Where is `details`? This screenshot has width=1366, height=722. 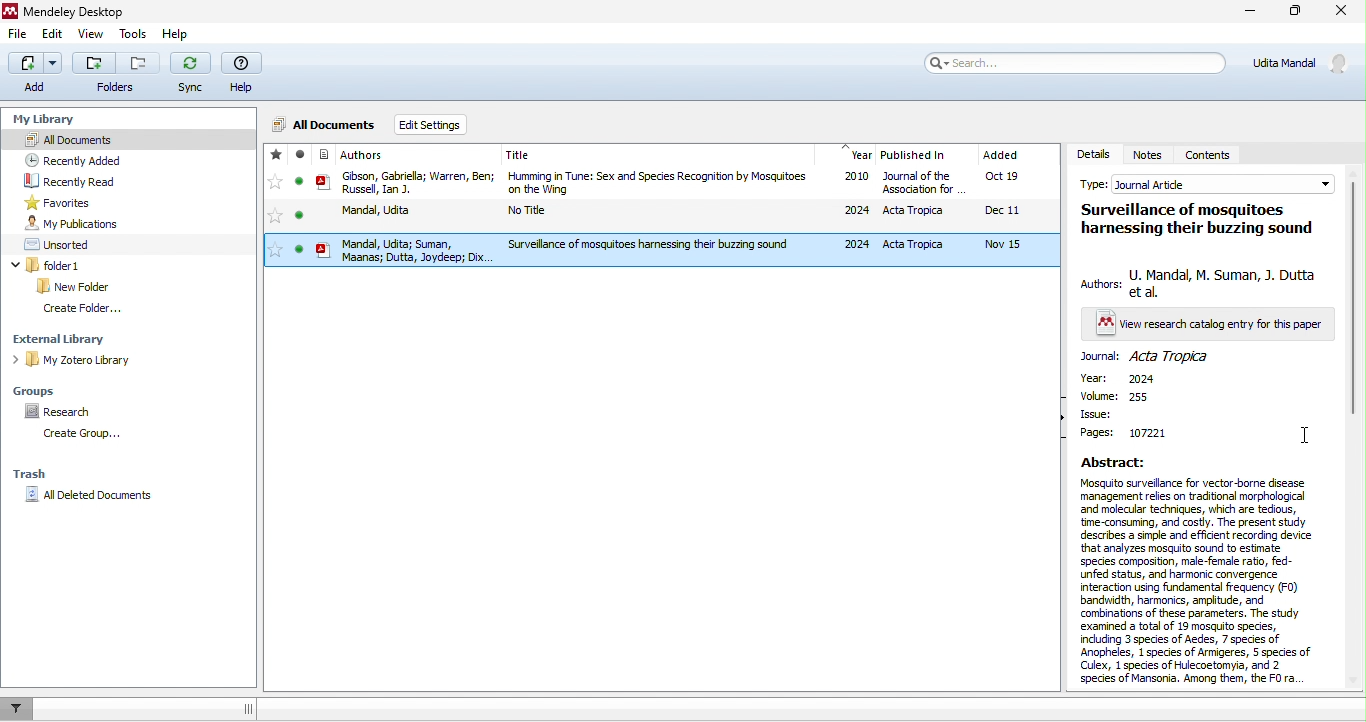 details is located at coordinates (1093, 153).